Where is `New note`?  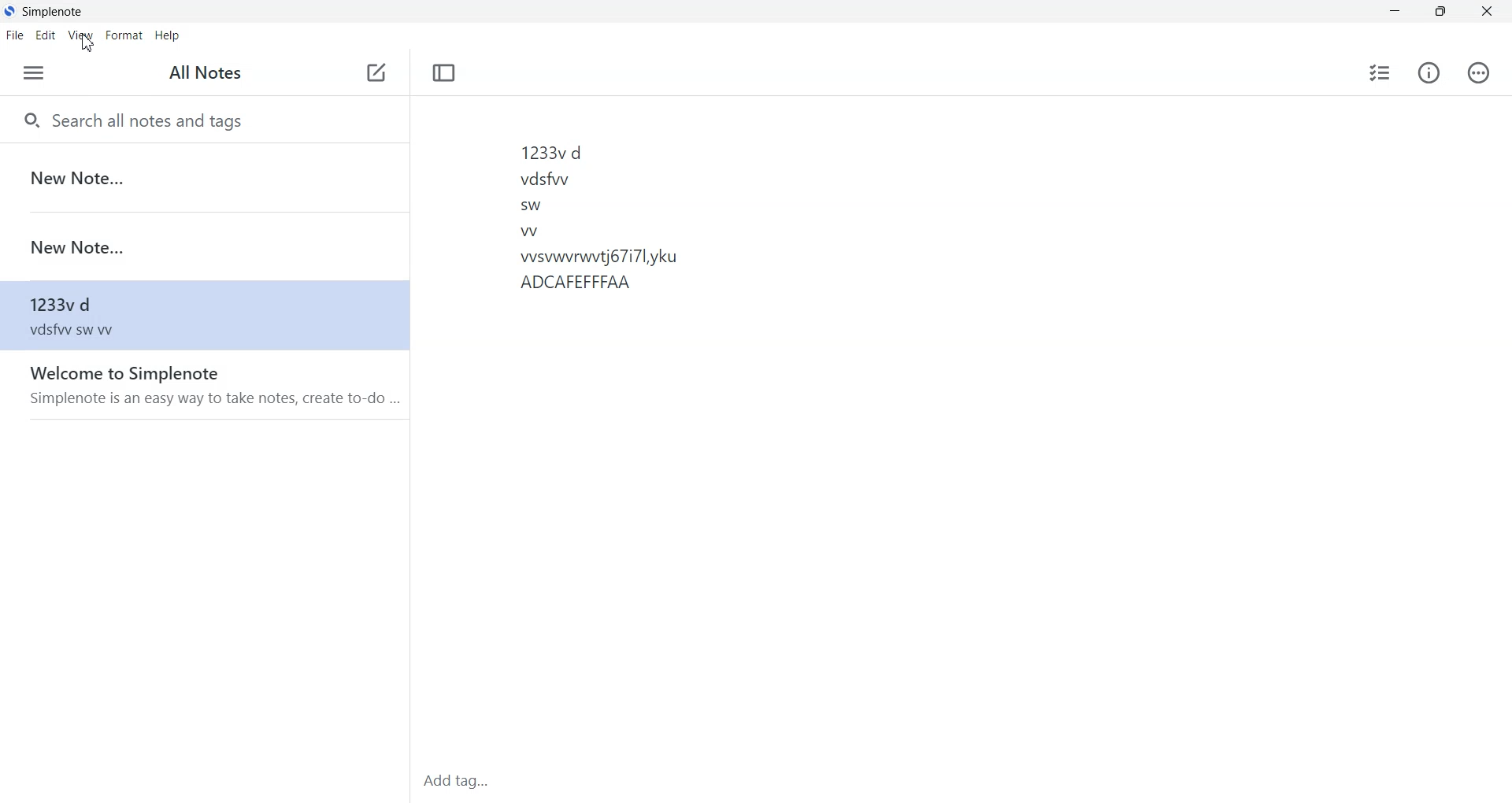 New note is located at coordinates (378, 74).